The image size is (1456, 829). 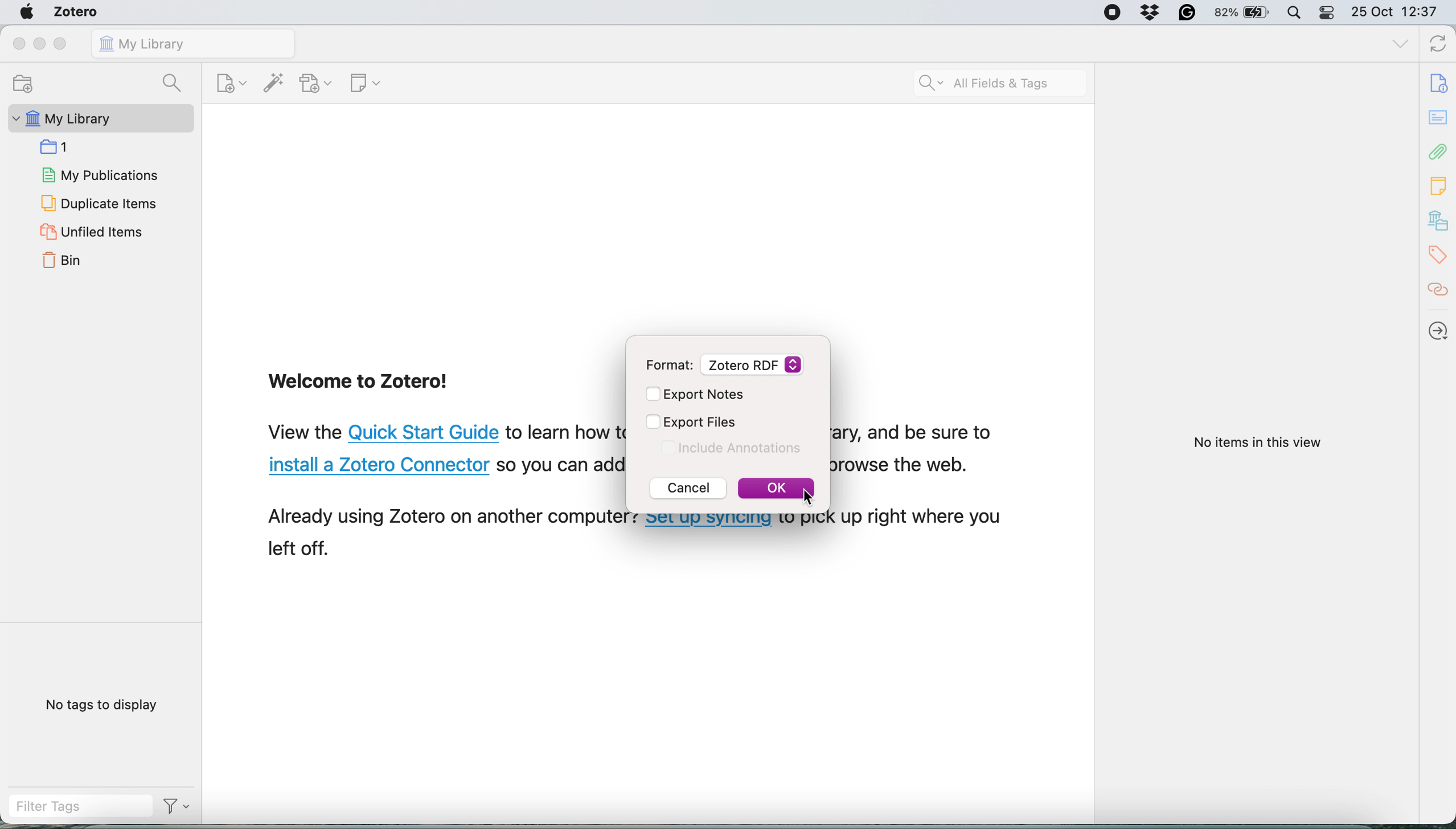 I want to click on Format: Zotero RDF, so click(x=726, y=365).